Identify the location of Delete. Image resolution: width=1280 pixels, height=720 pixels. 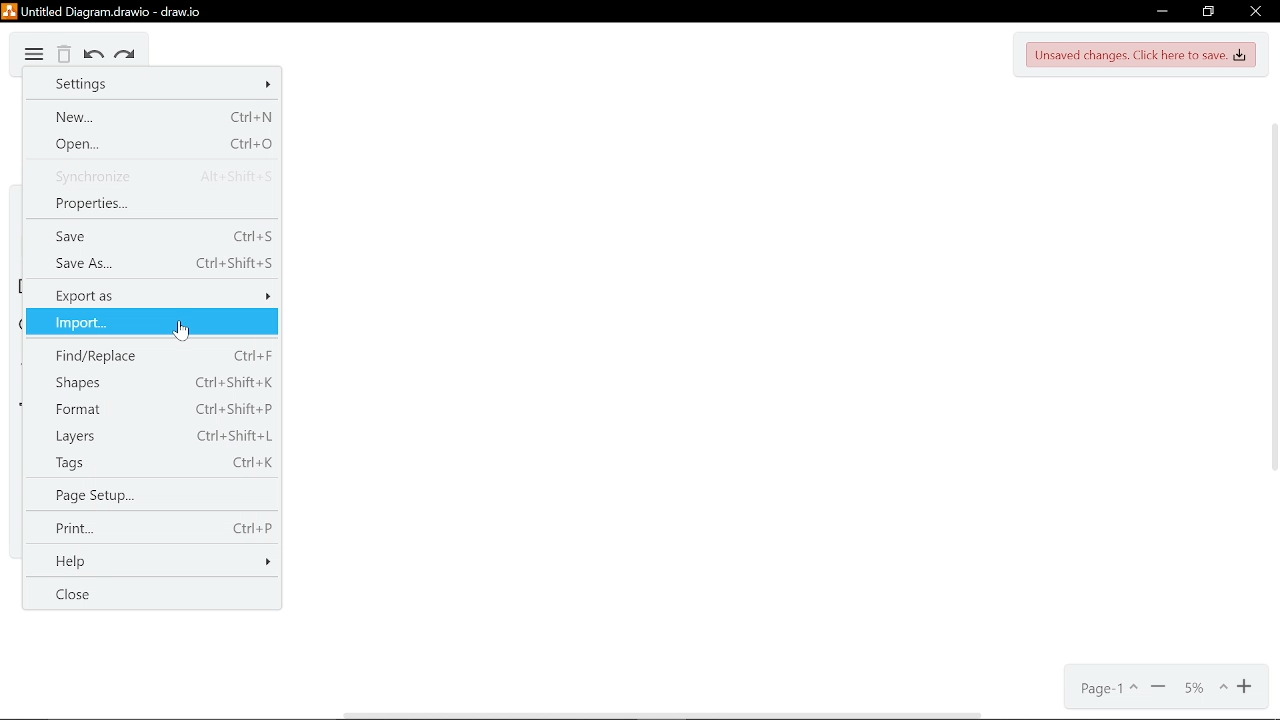
(66, 55).